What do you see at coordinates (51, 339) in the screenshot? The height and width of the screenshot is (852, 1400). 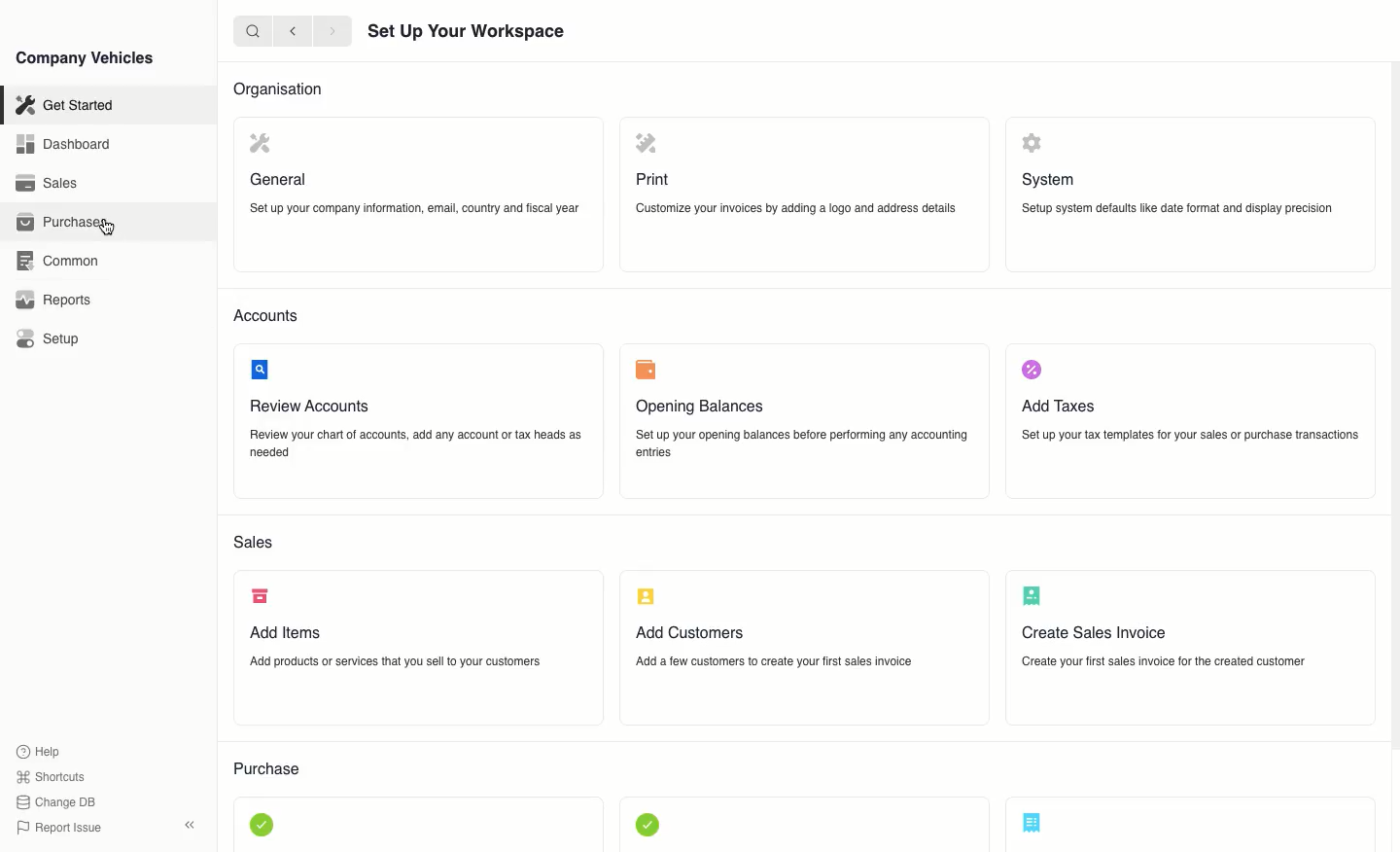 I see `Setup` at bounding box center [51, 339].